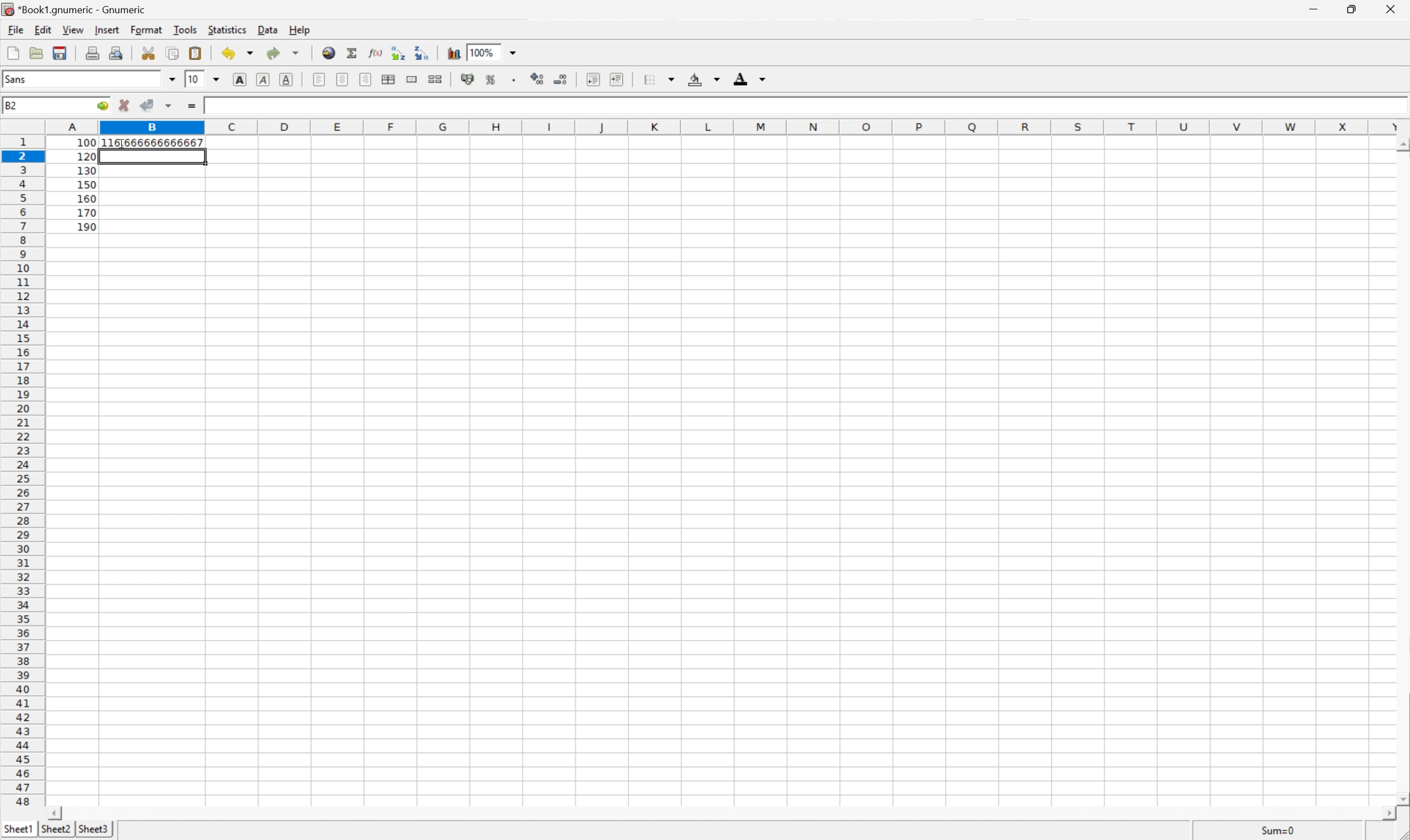 This screenshot has height=840, width=1410. What do you see at coordinates (749, 79) in the screenshot?
I see `Foreground` at bounding box center [749, 79].